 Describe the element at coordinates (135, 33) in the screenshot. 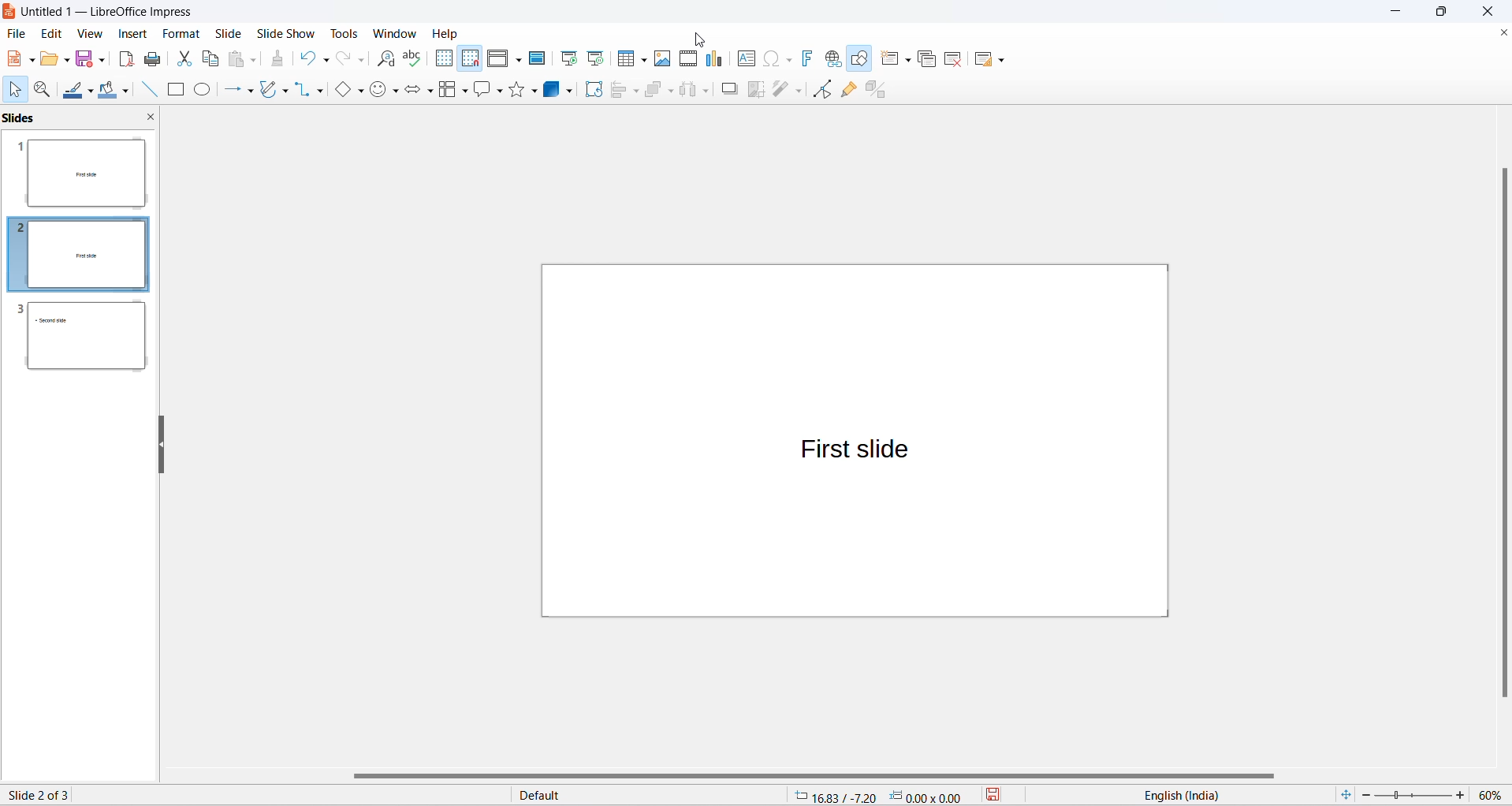

I see `insert` at that location.